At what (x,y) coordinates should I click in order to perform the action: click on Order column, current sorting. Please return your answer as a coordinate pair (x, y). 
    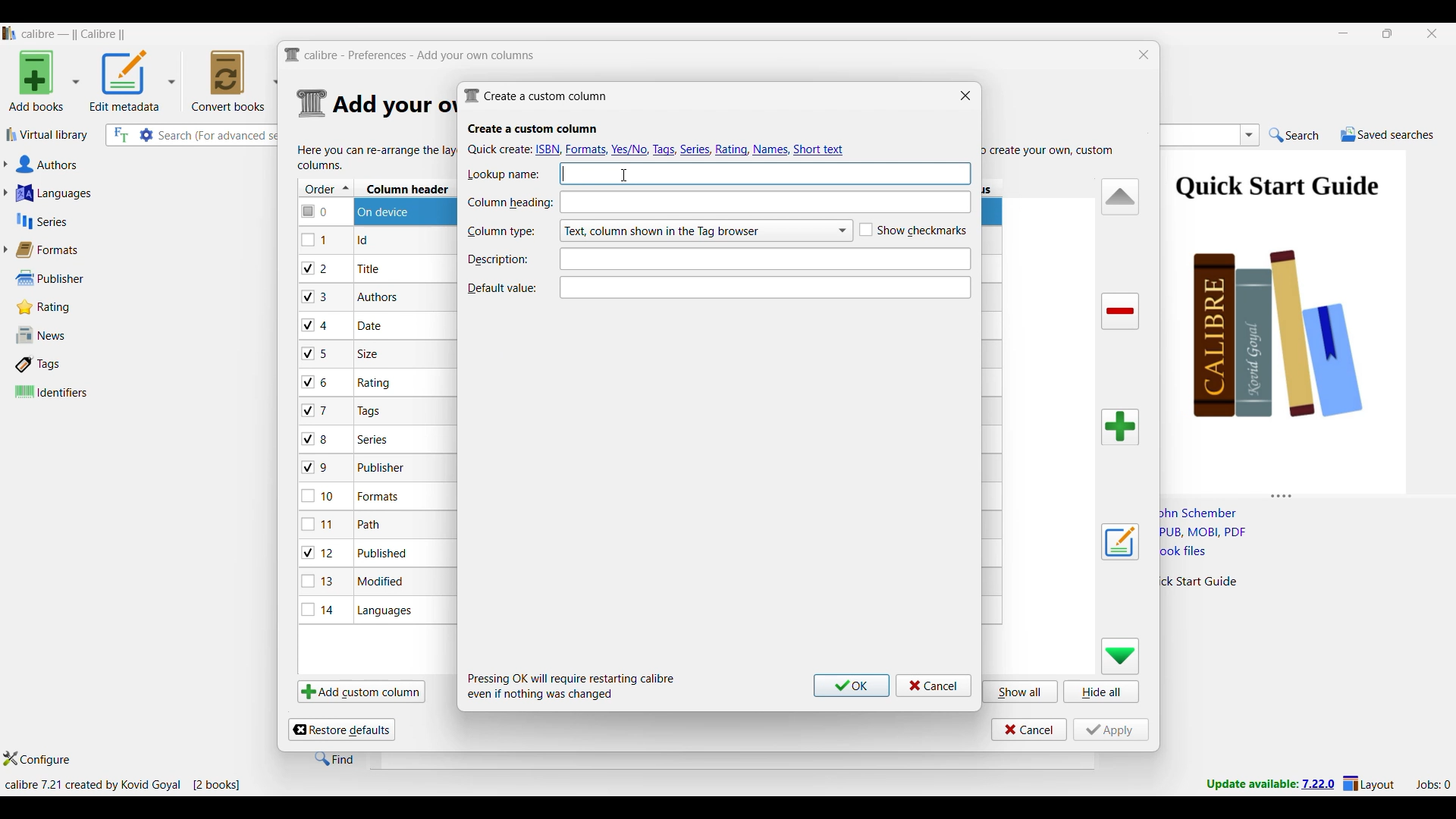
    Looking at the image, I should click on (326, 188).